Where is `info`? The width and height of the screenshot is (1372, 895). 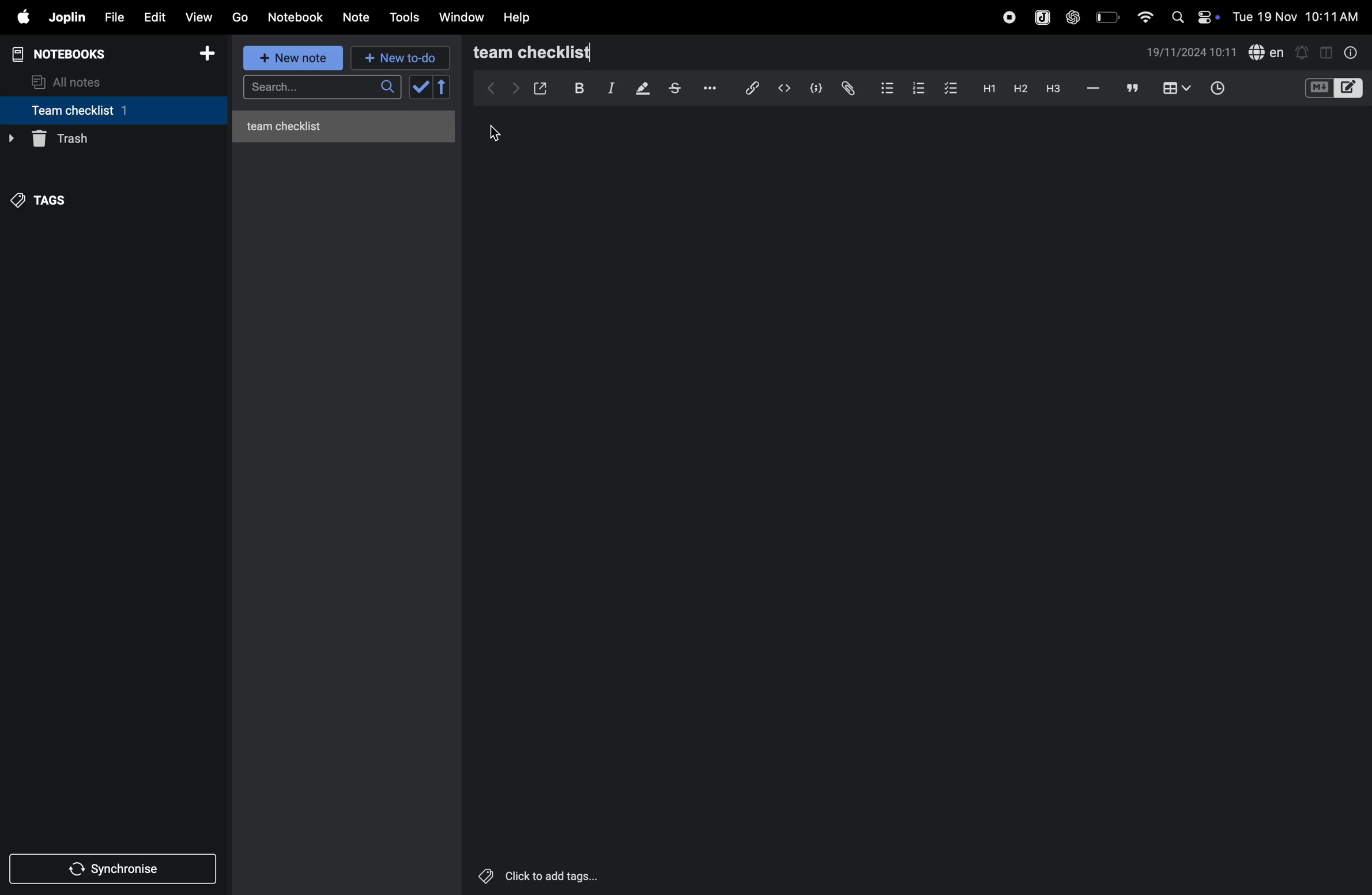 info is located at coordinates (1348, 52).